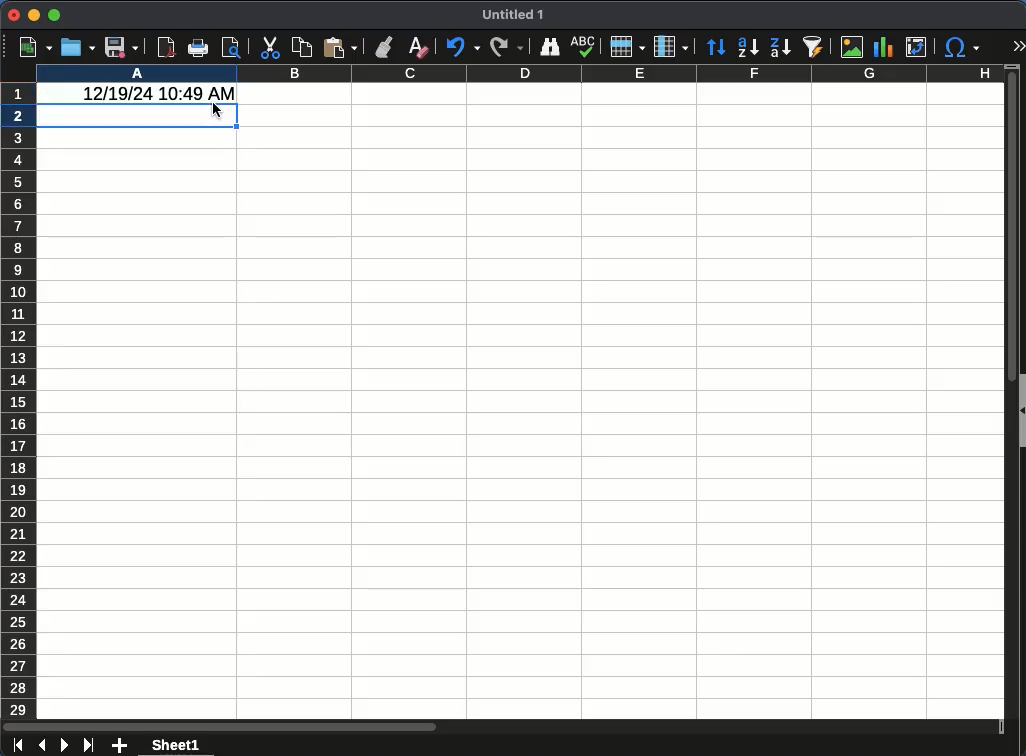 This screenshot has width=1026, height=756. What do you see at coordinates (918, 49) in the screenshot?
I see `pivot table` at bounding box center [918, 49].